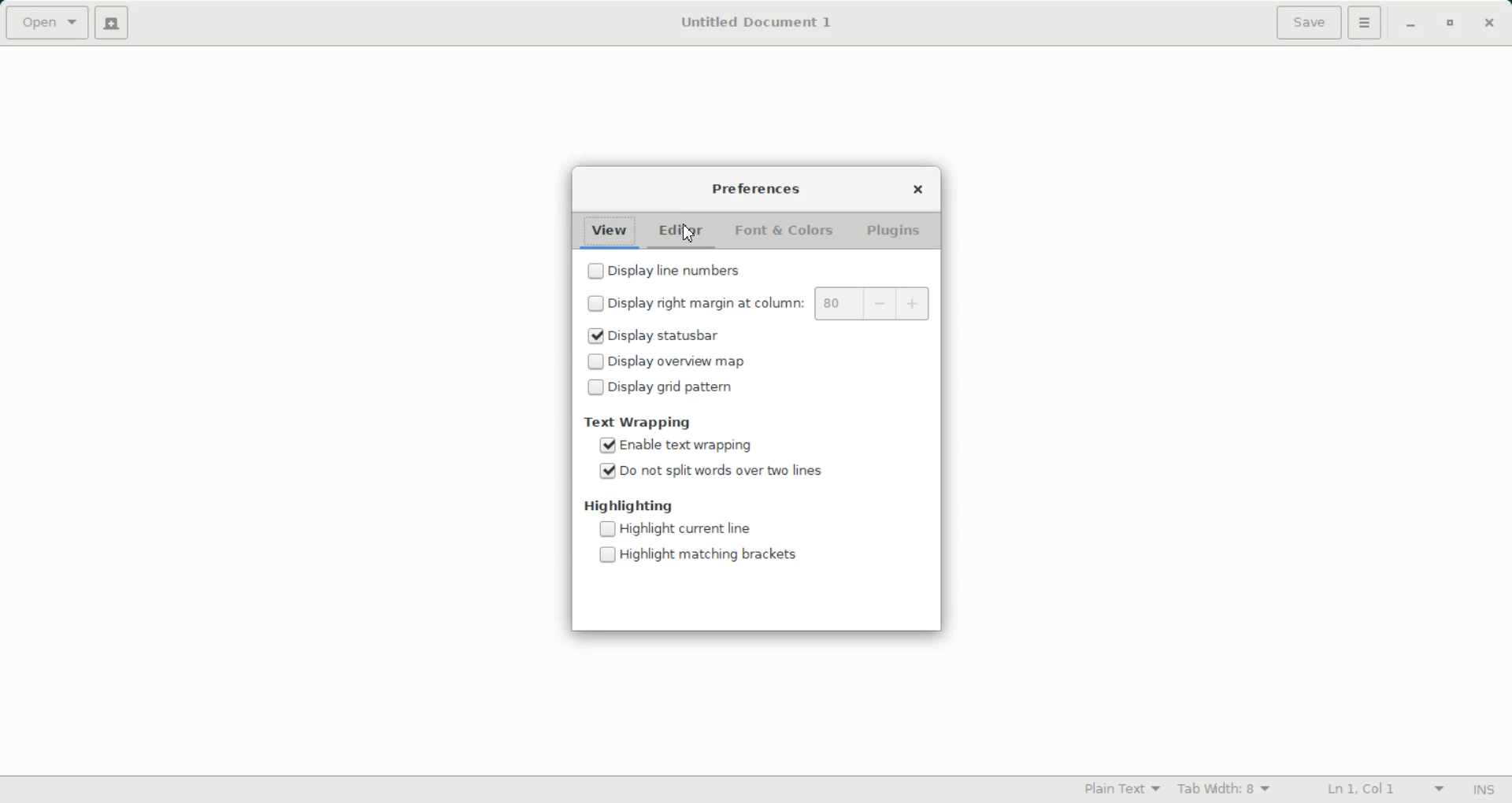  Describe the element at coordinates (610, 232) in the screenshot. I see `View folder open` at that location.